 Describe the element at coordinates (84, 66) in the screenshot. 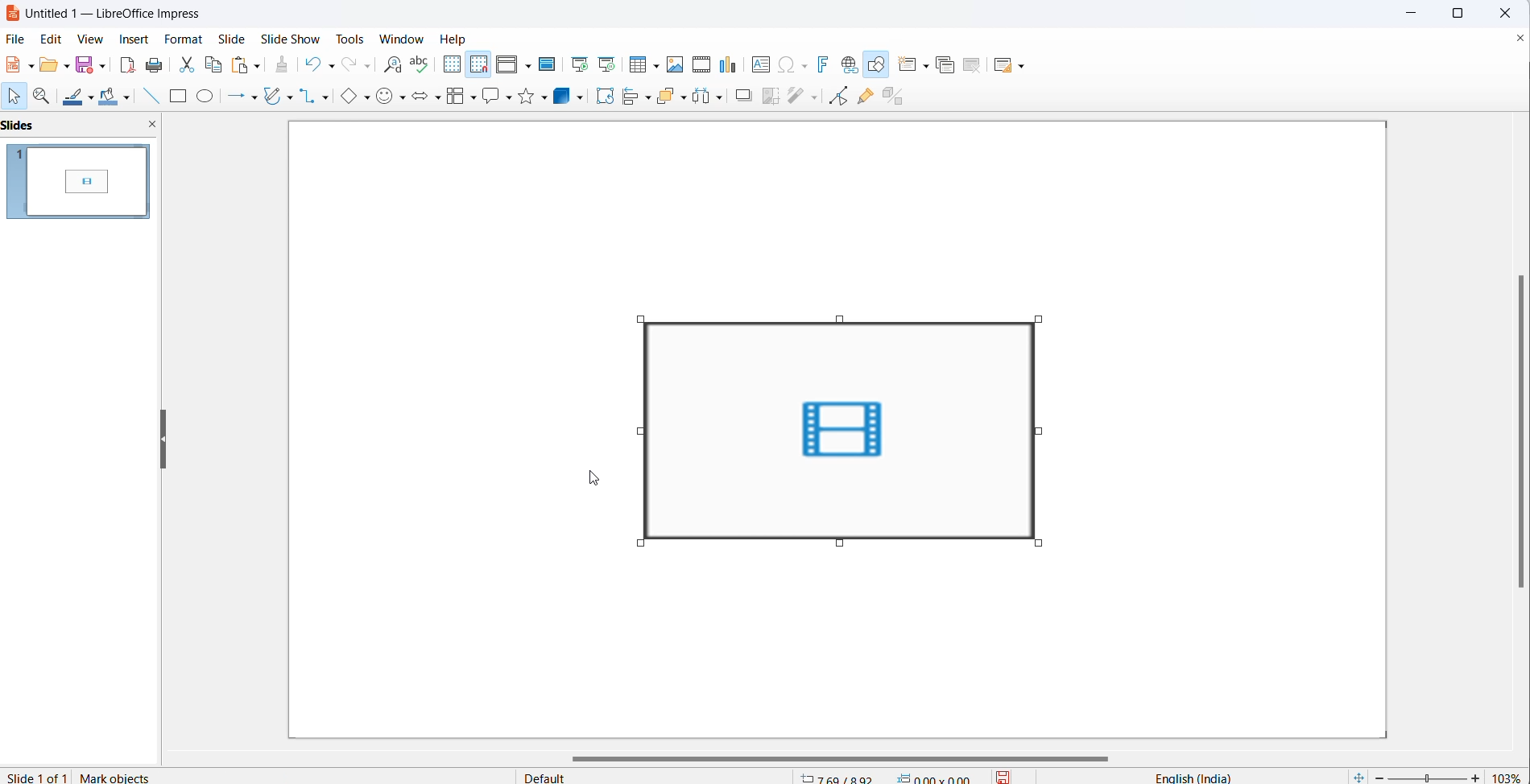

I see `save` at that location.